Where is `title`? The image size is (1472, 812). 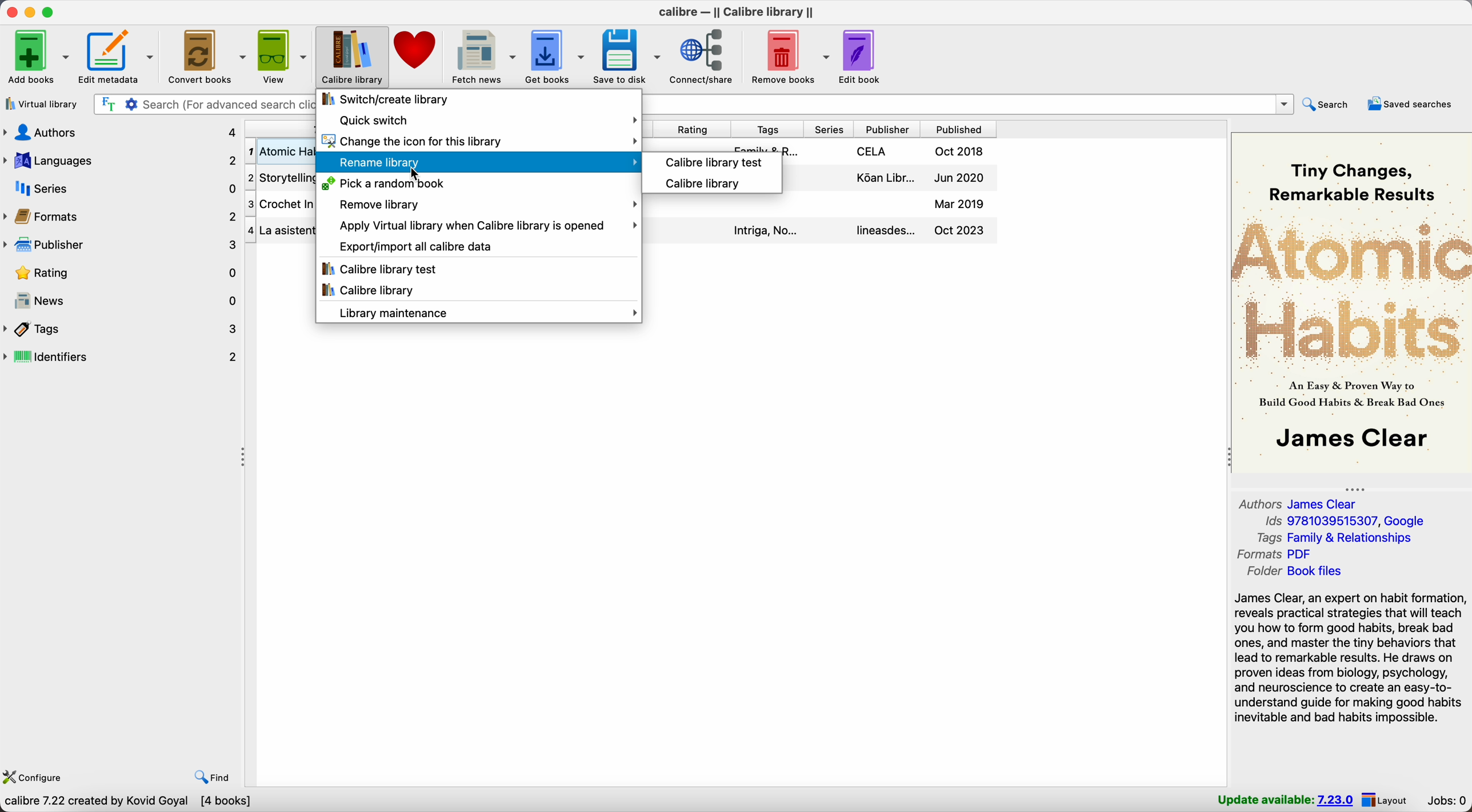 title is located at coordinates (279, 129).